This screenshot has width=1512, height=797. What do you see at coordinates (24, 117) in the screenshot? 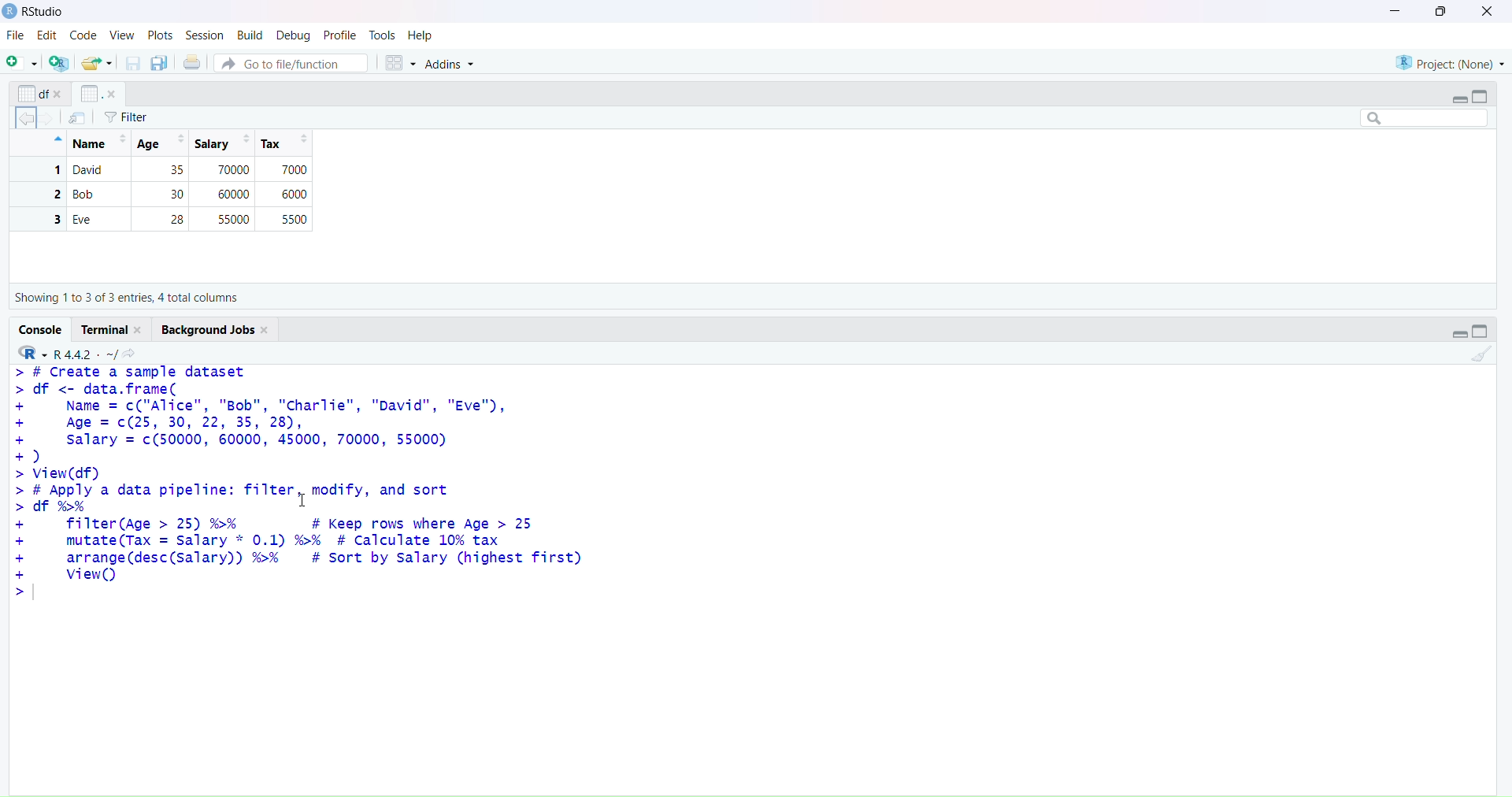
I see `backward` at bounding box center [24, 117].